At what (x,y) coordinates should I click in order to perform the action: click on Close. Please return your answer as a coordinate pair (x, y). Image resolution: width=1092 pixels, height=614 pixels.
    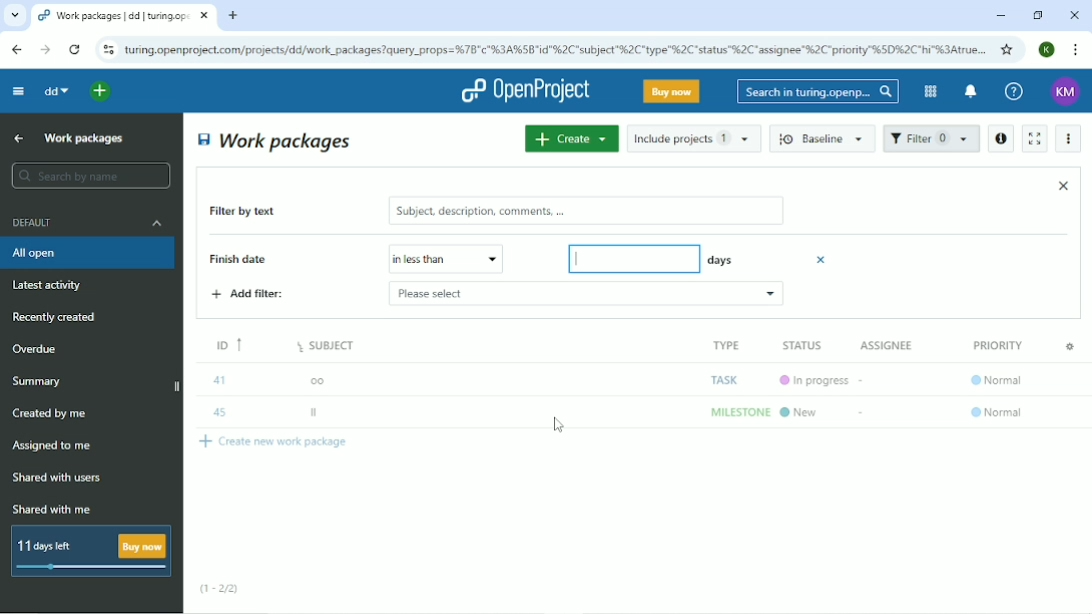
    Looking at the image, I should click on (1074, 15).